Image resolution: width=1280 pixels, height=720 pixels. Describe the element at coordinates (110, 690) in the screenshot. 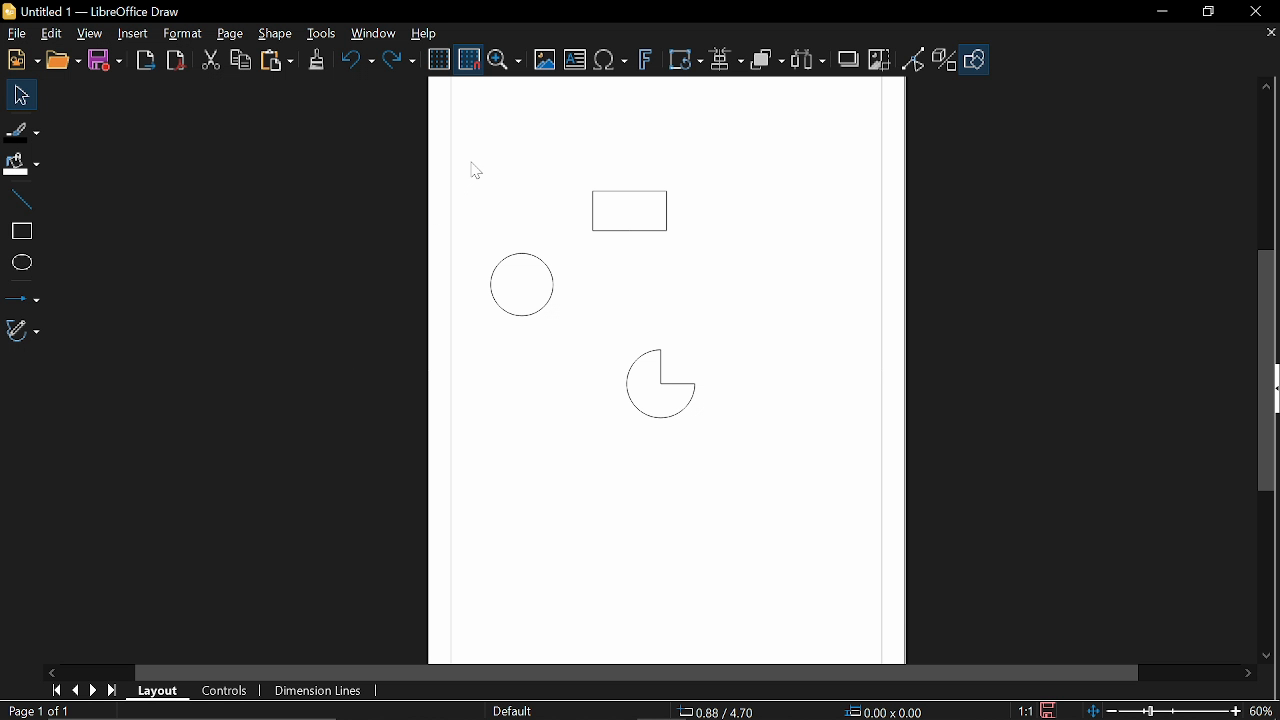

I see `last page` at that location.